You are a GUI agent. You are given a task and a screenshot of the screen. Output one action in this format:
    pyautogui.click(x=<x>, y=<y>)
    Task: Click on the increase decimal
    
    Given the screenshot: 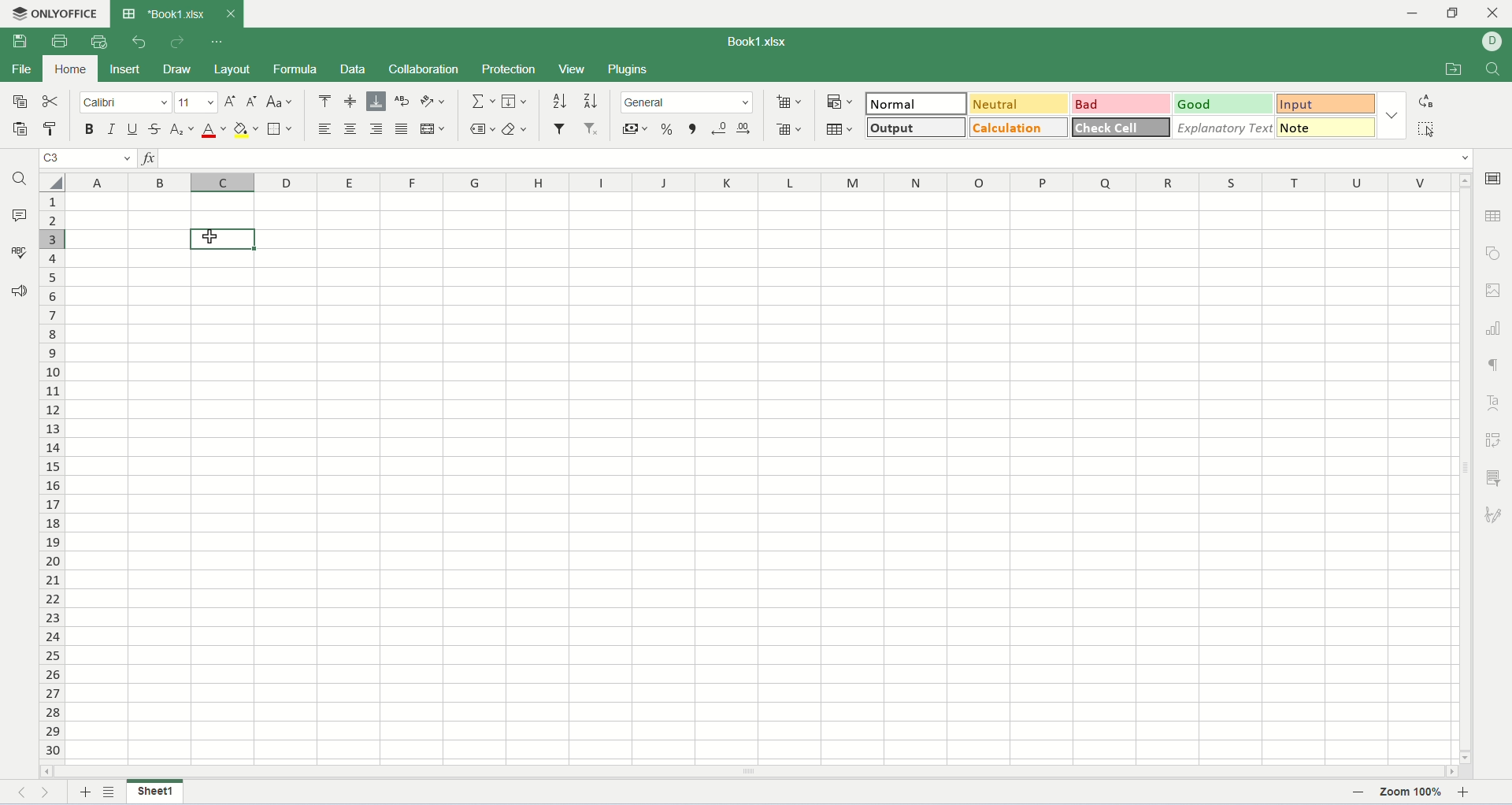 What is the action you would take?
    pyautogui.click(x=742, y=127)
    